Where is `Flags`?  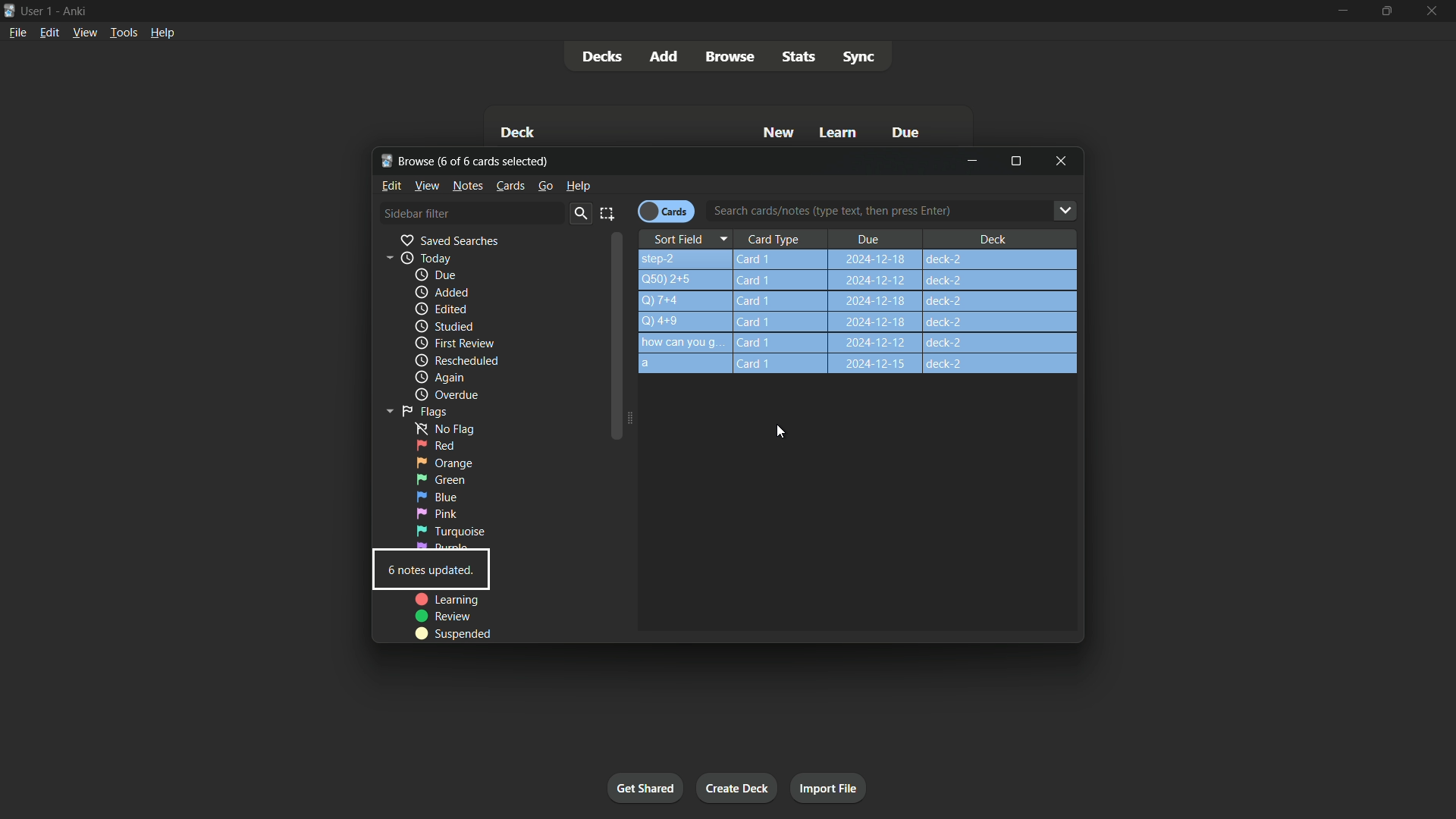
Flags is located at coordinates (413, 410).